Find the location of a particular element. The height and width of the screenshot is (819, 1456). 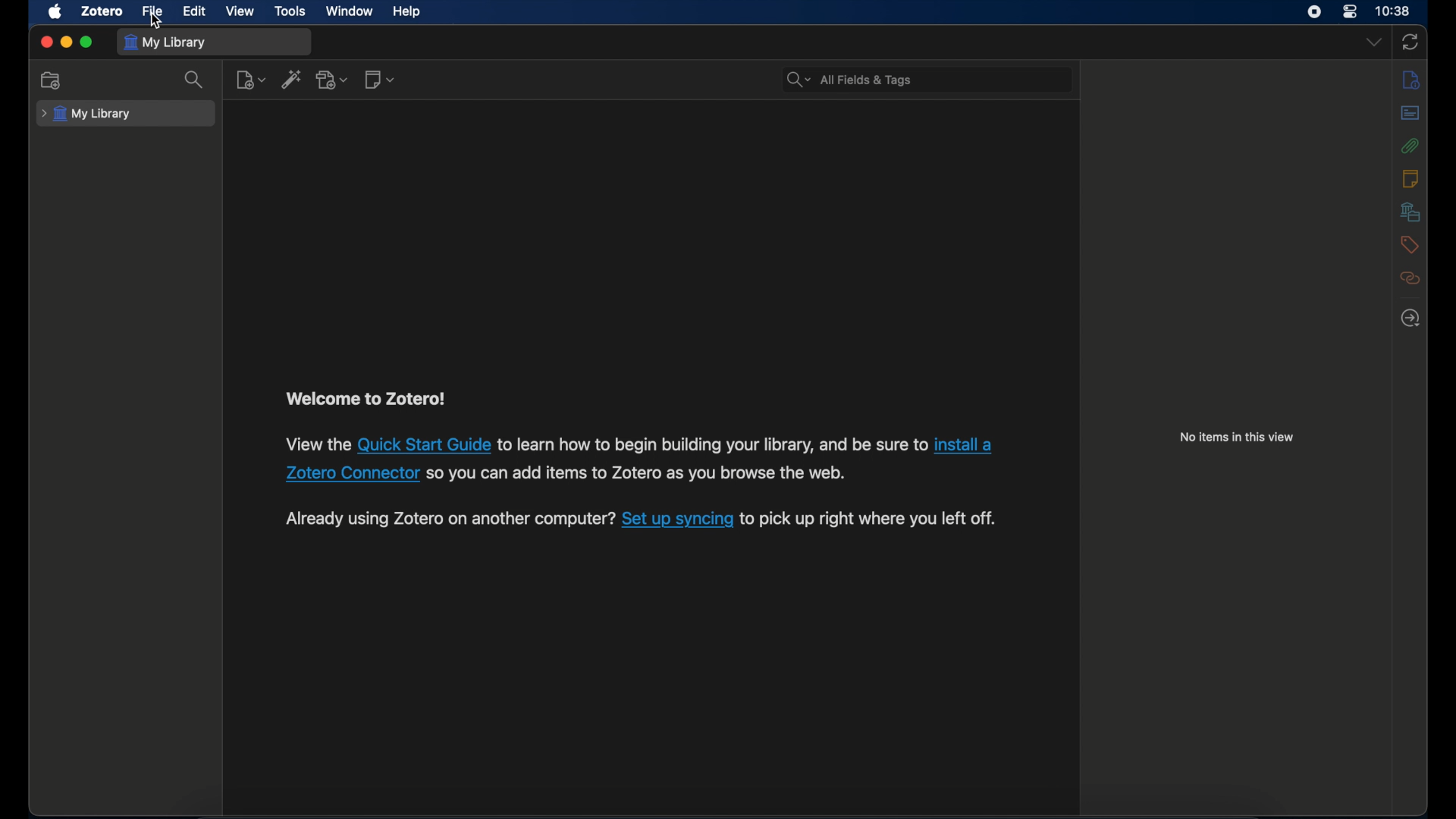

view is located at coordinates (240, 11).